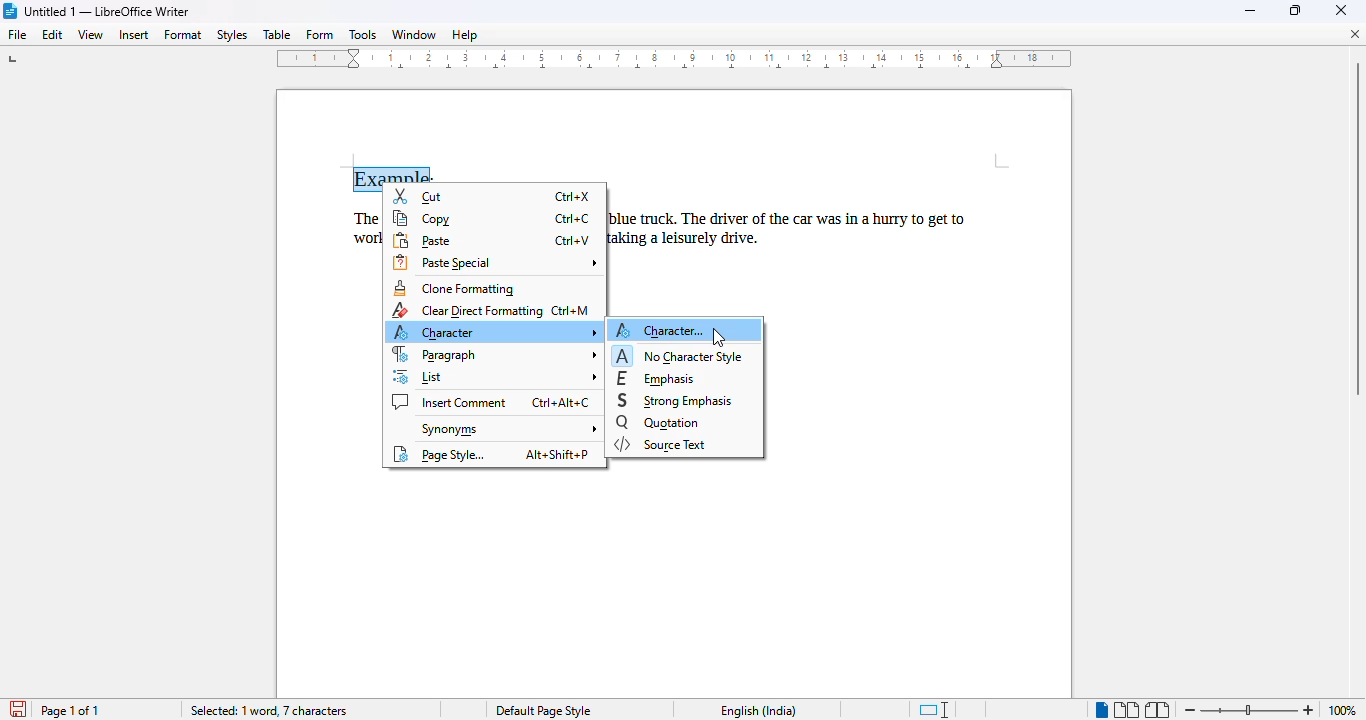  Describe the element at coordinates (660, 443) in the screenshot. I see `source text` at that location.